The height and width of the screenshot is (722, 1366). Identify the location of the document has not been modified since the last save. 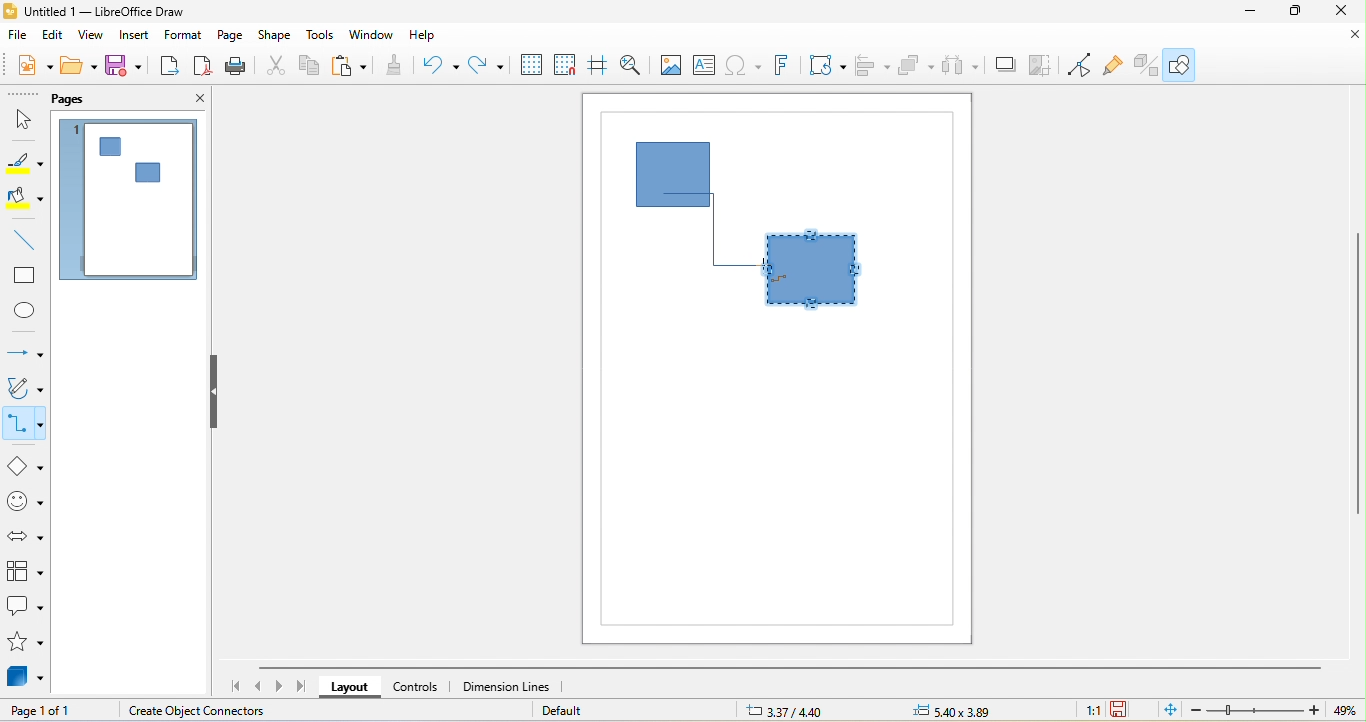
(1128, 710).